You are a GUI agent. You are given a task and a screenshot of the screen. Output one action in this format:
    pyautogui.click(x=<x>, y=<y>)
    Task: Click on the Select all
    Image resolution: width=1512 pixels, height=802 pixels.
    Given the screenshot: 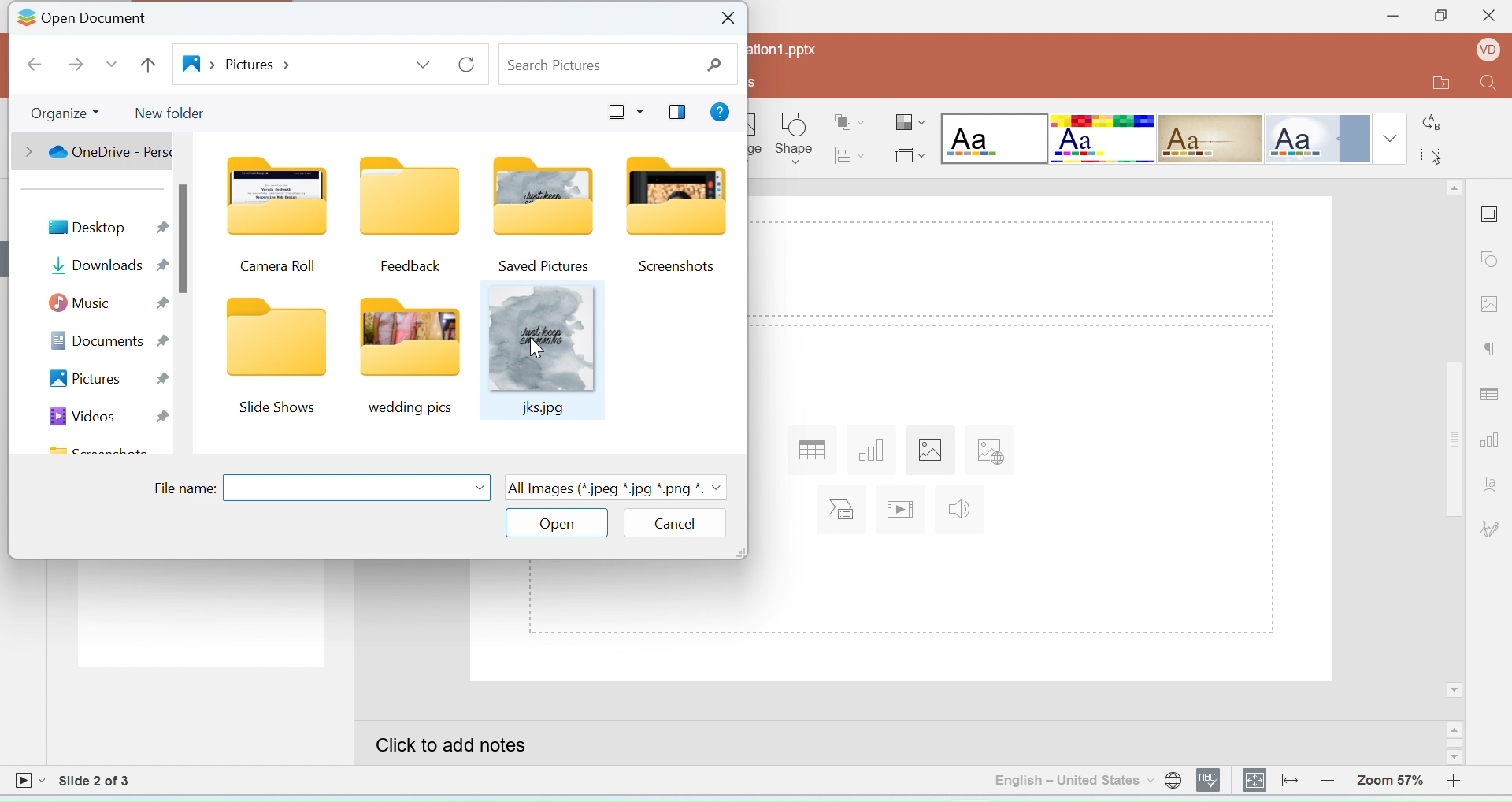 What is the action you would take?
    pyautogui.click(x=1437, y=153)
    